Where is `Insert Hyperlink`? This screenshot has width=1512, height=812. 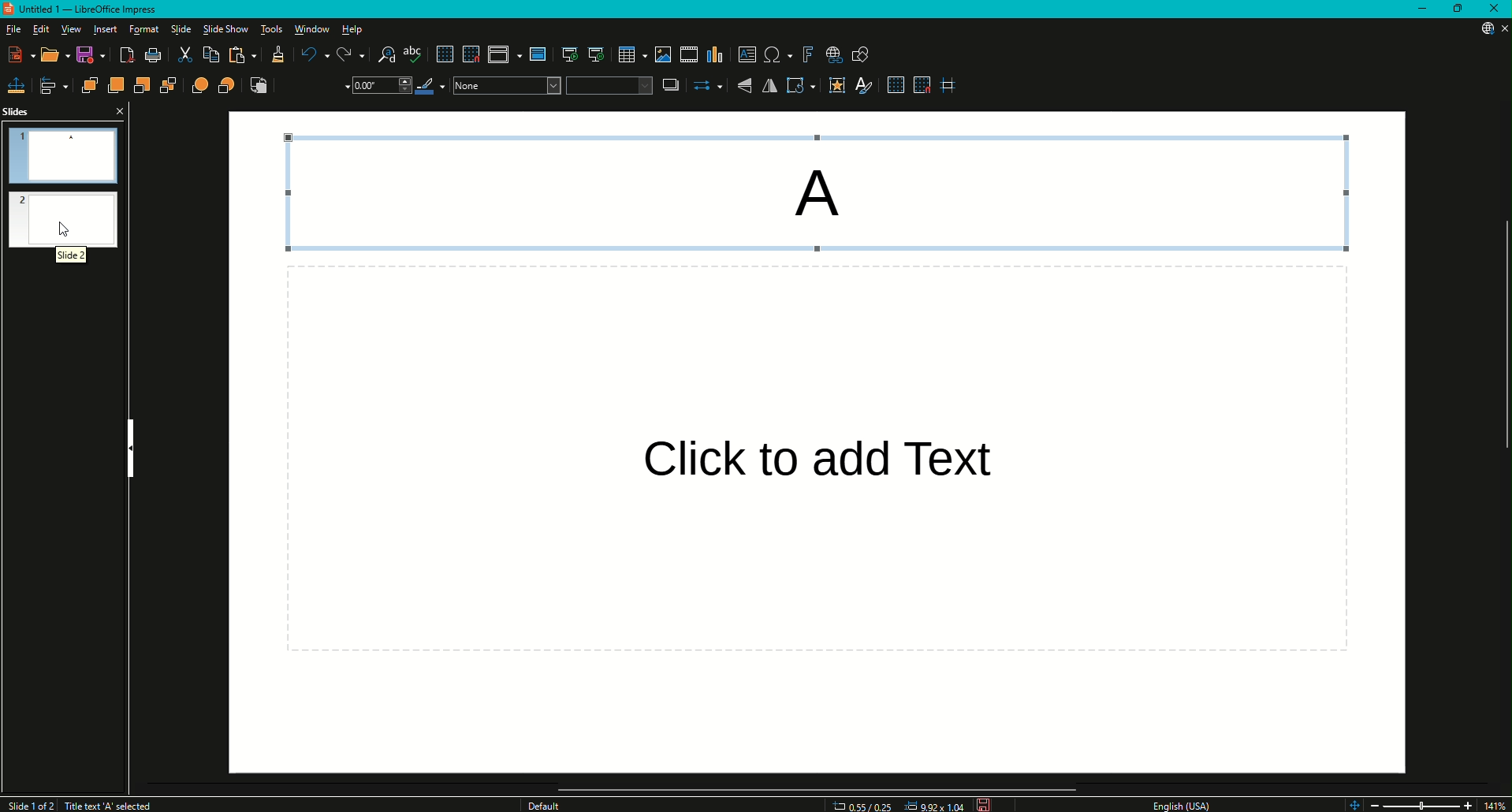 Insert Hyperlink is located at coordinates (835, 55).